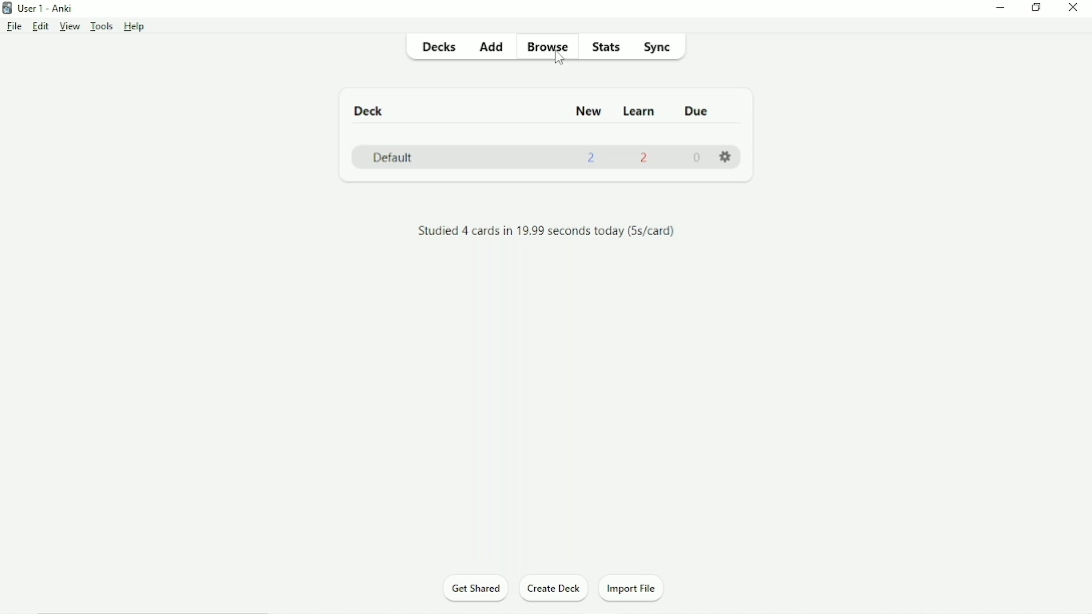 This screenshot has height=614, width=1092. I want to click on Restore down, so click(1037, 8).